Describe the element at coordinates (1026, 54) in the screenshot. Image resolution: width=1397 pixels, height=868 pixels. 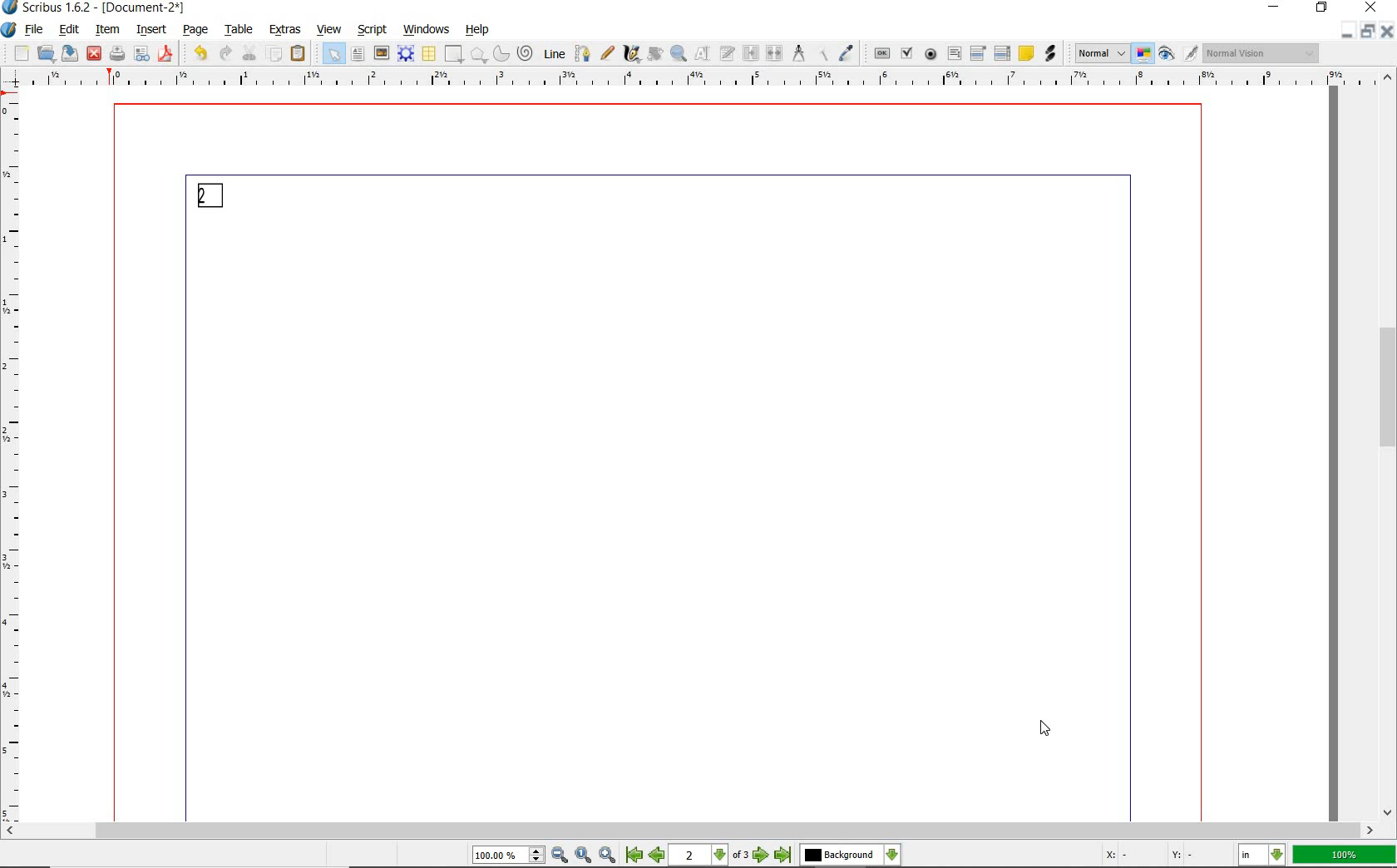
I see `text annotation` at that location.